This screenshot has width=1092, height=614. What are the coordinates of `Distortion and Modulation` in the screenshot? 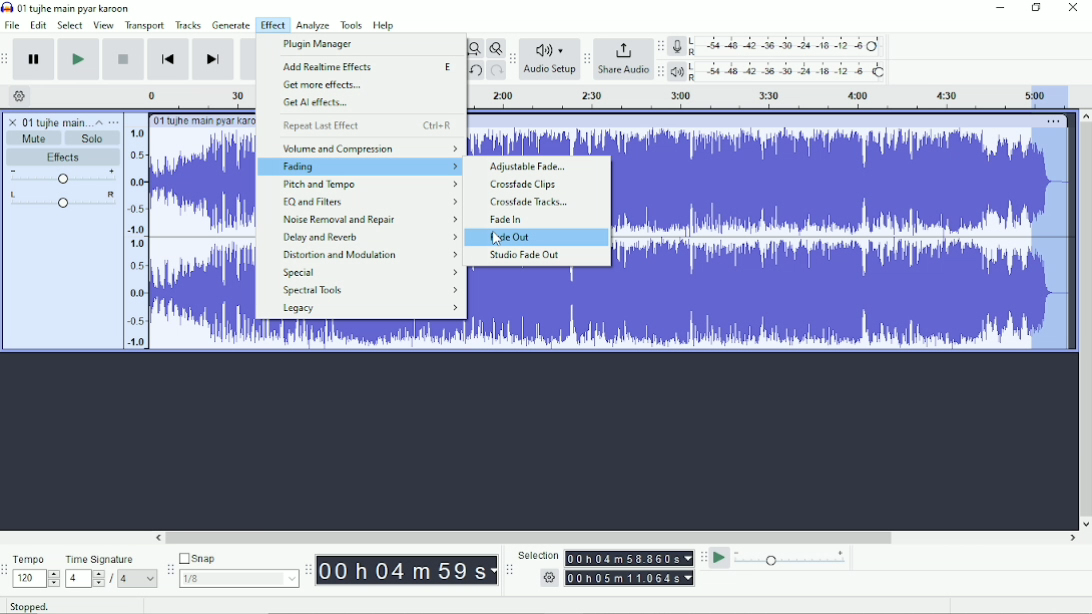 It's located at (369, 255).